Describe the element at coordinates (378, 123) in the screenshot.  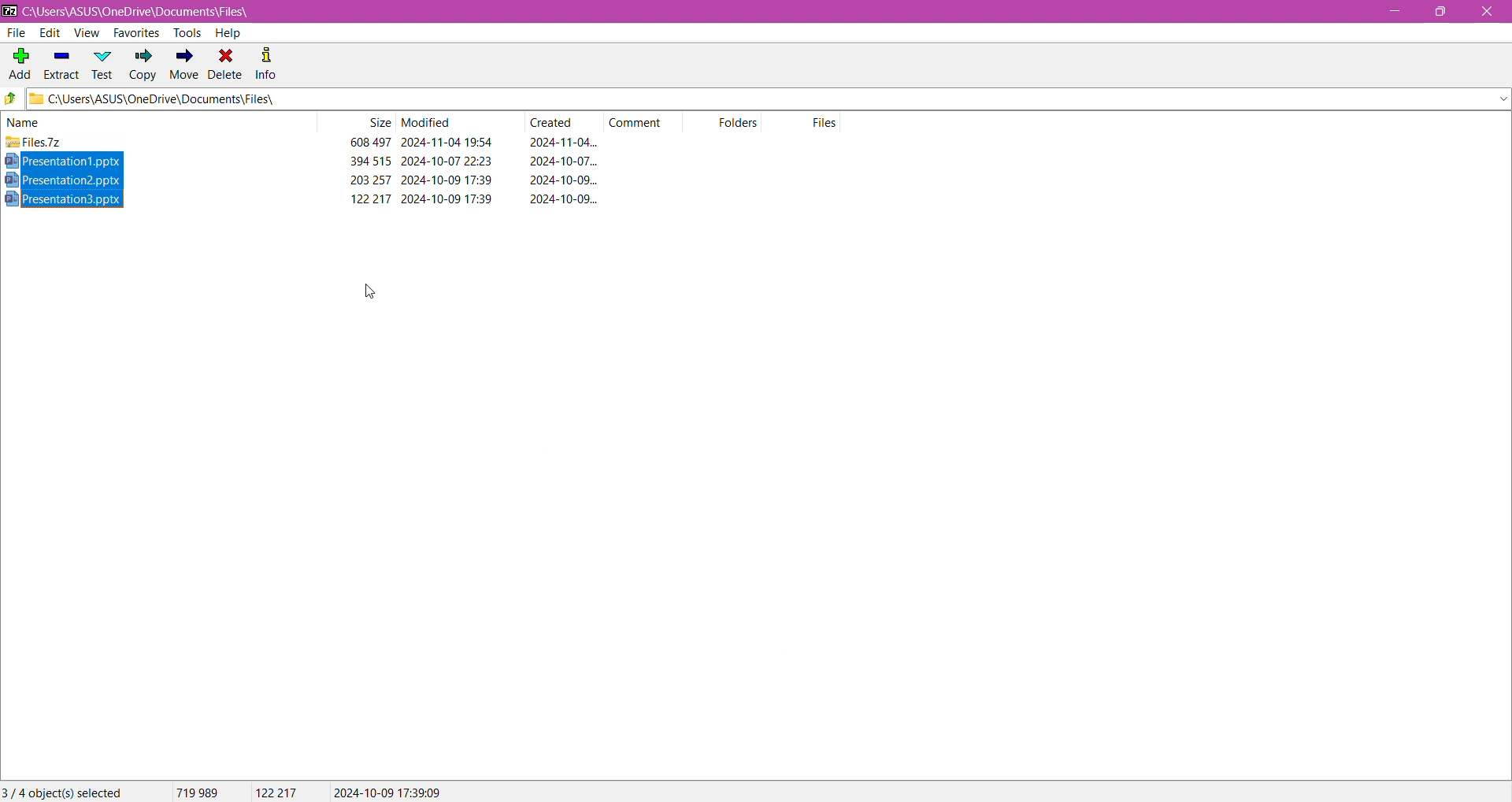
I see `Size` at that location.